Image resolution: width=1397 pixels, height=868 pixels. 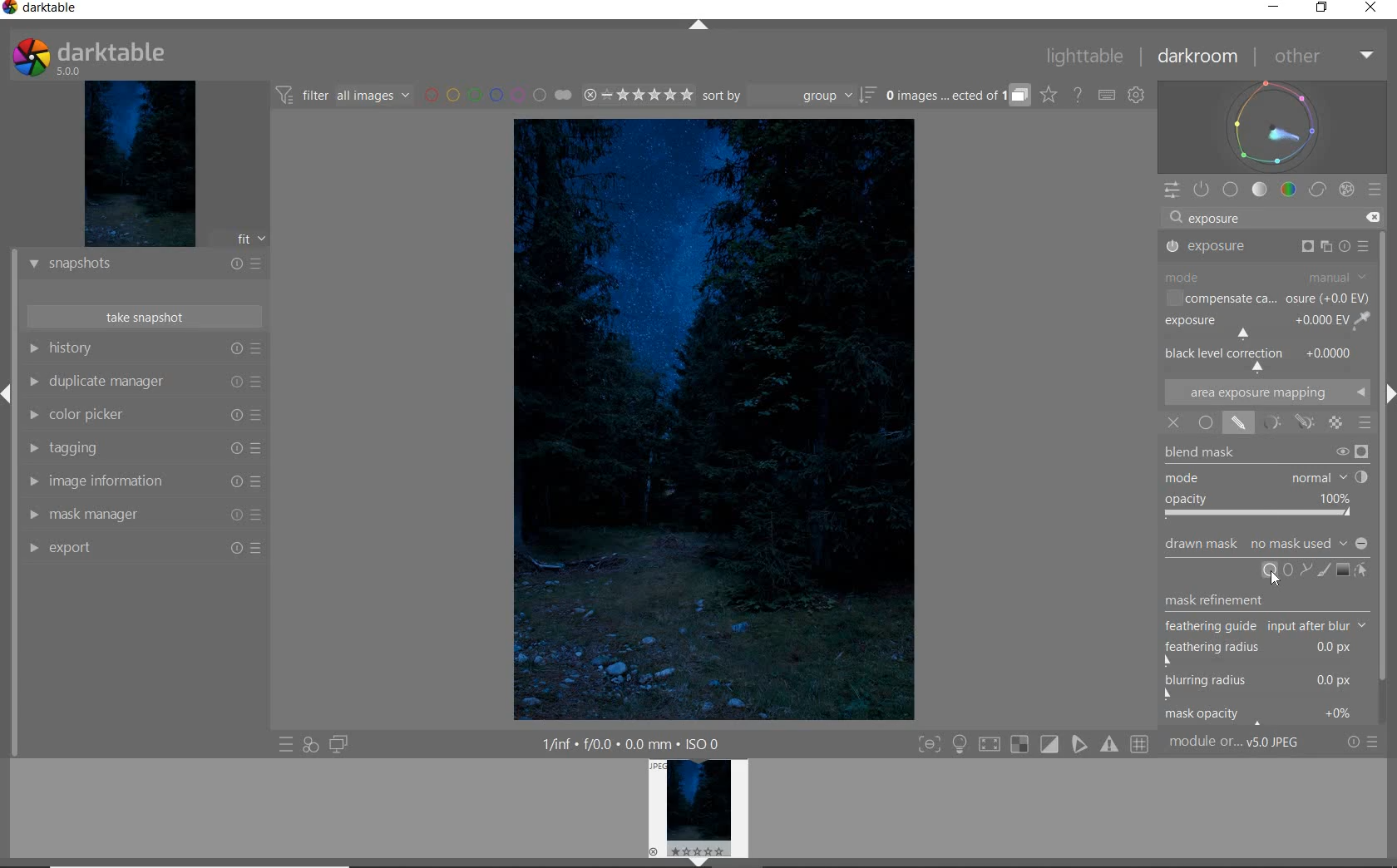 What do you see at coordinates (1266, 626) in the screenshot?
I see `feathering guide input after blur` at bounding box center [1266, 626].